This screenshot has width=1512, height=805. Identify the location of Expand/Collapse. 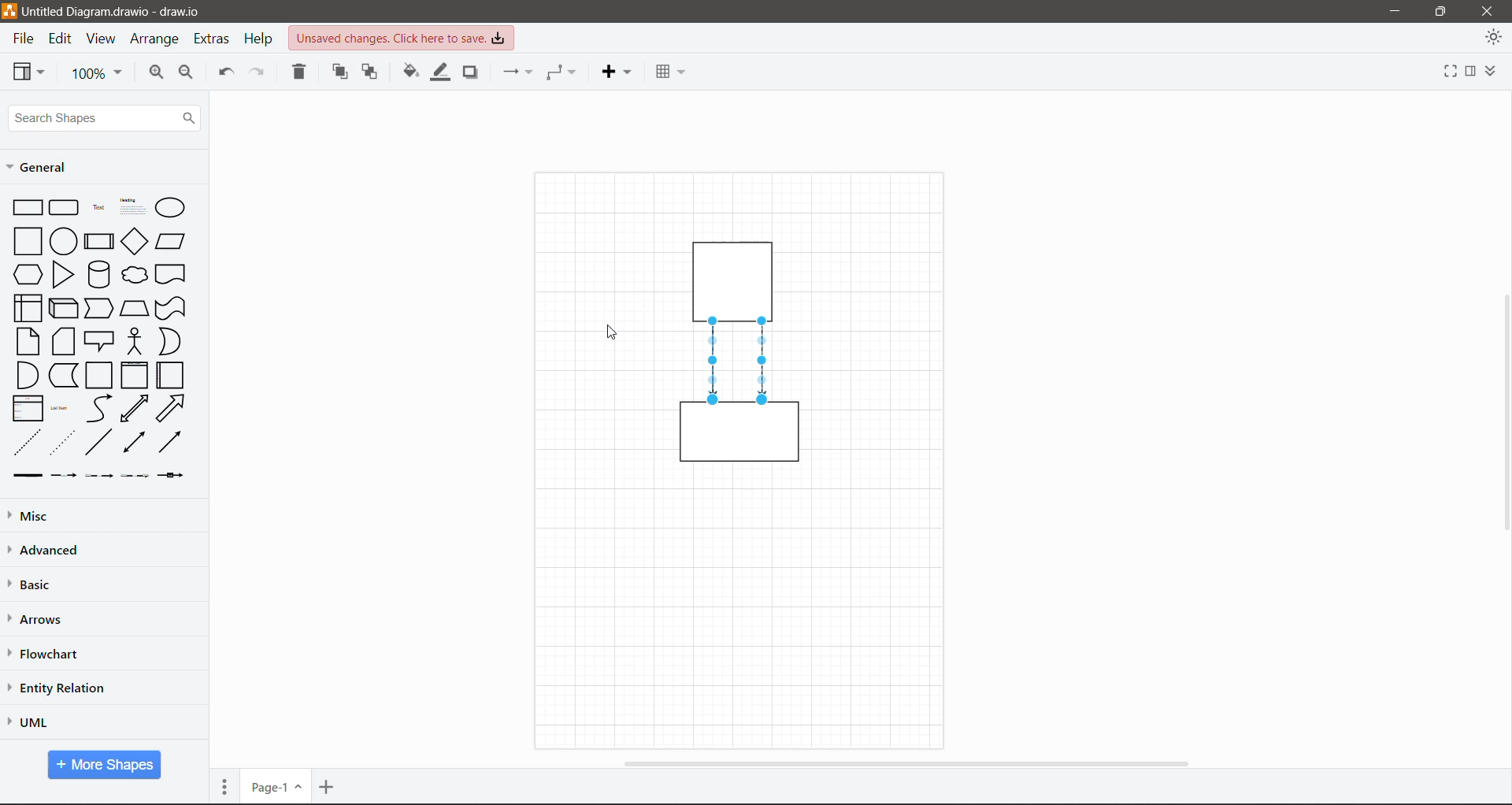
(1495, 69).